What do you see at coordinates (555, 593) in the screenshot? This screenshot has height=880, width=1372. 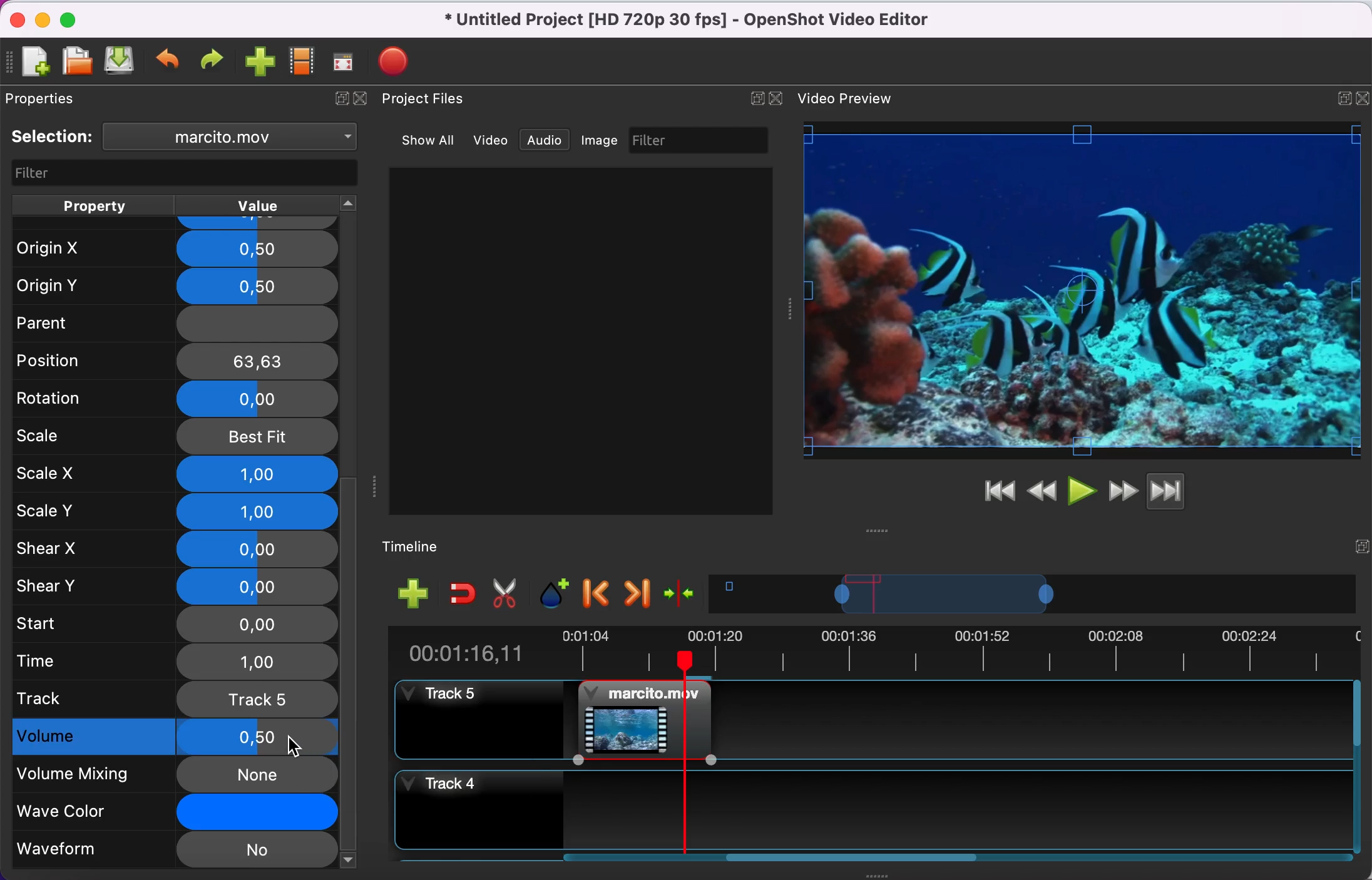 I see `add marker` at bounding box center [555, 593].